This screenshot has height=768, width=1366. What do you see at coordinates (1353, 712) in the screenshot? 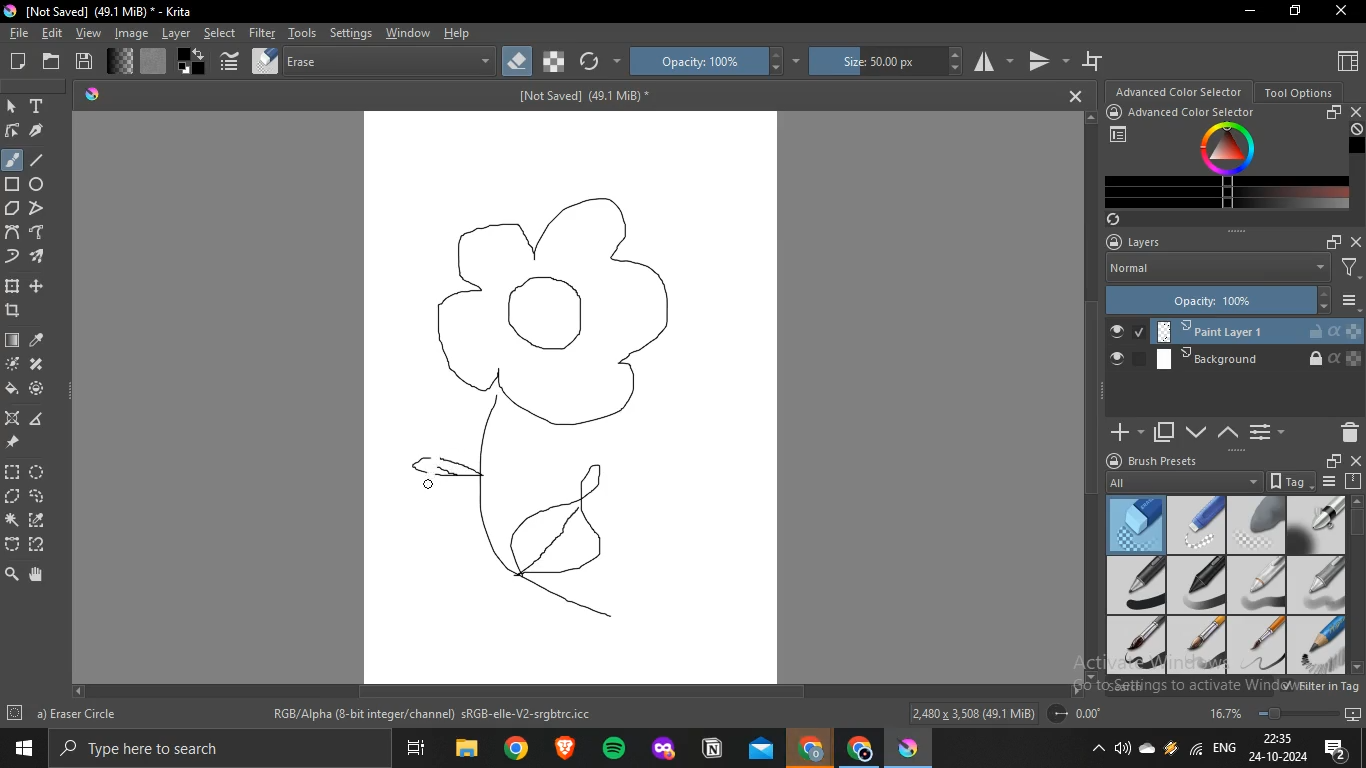
I see `Slideshow` at bounding box center [1353, 712].